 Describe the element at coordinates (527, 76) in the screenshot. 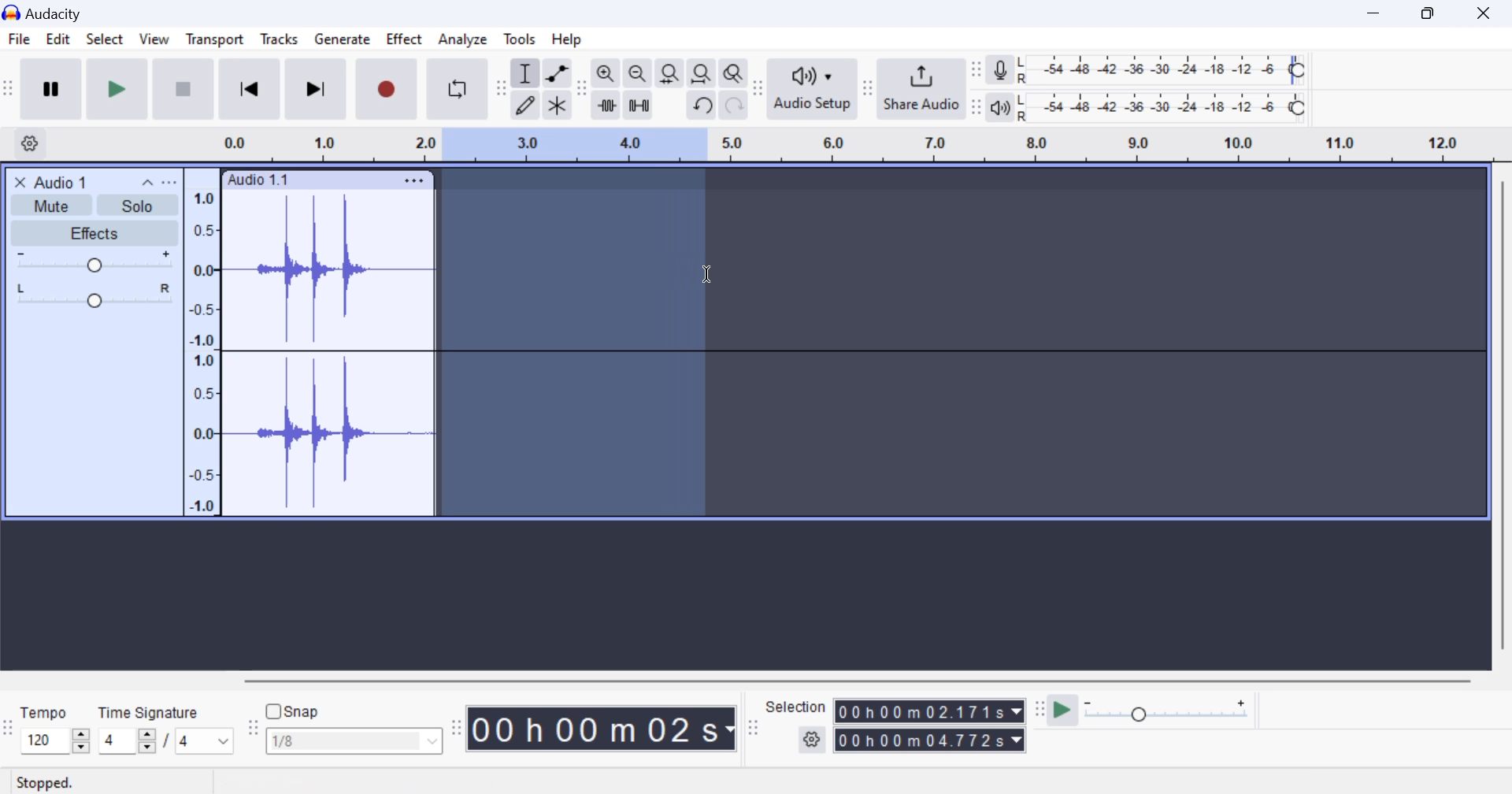

I see `selection tool` at that location.